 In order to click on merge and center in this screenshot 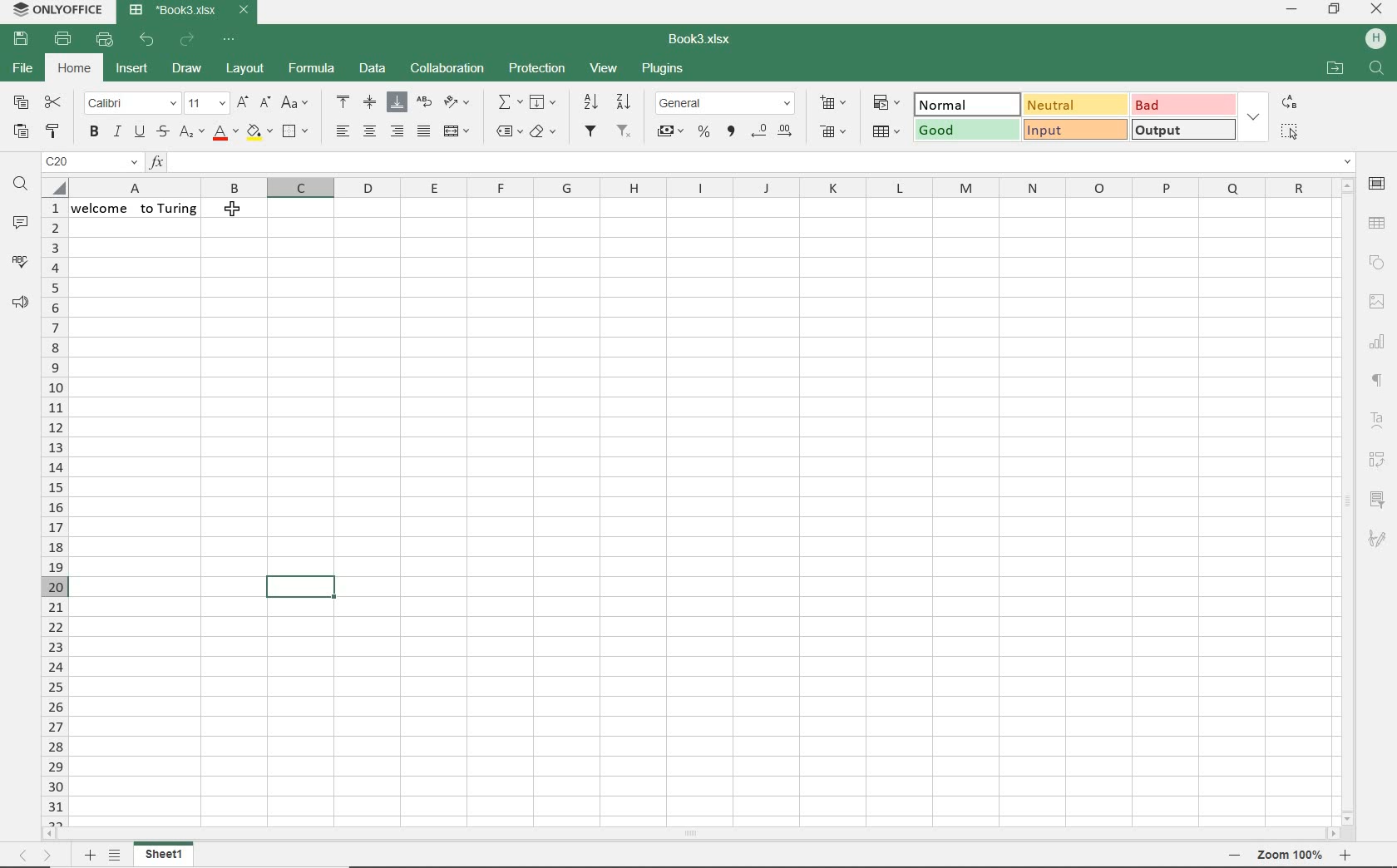, I will do `click(457, 132)`.